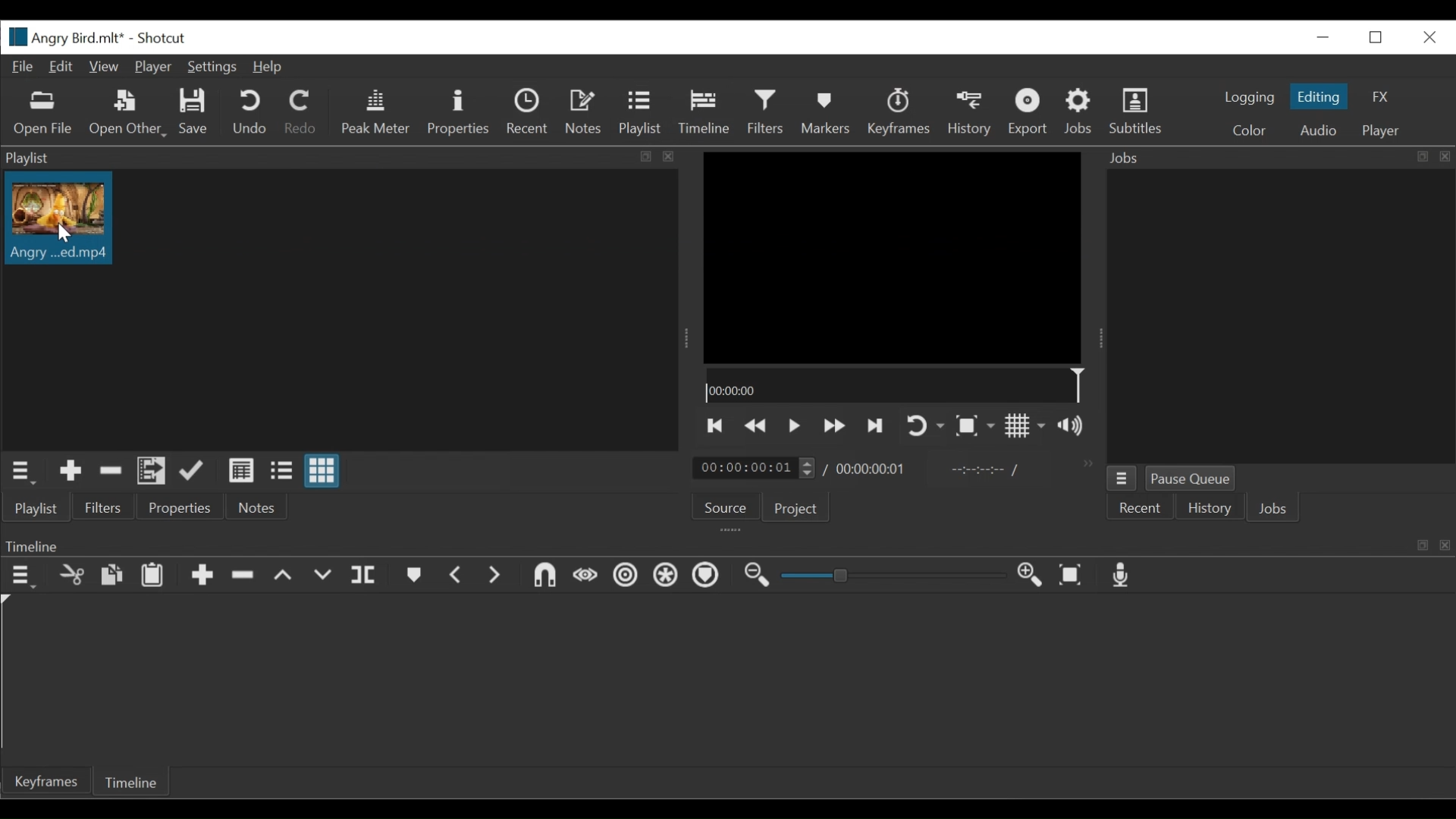  Describe the element at coordinates (180, 509) in the screenshot. I see `Properties` at that location.